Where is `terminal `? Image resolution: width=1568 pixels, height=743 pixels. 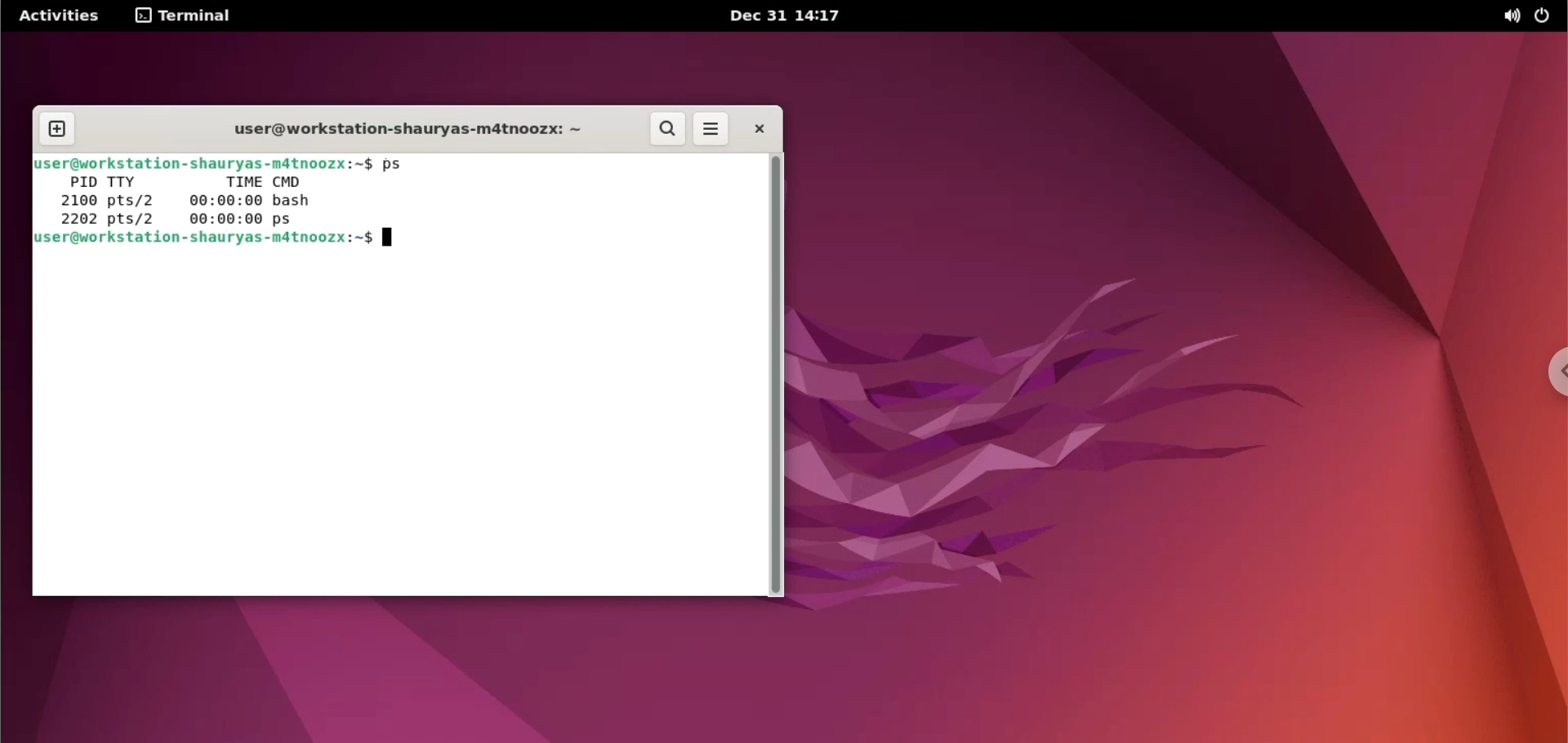
terminal  is located at coordinates (185, 16).